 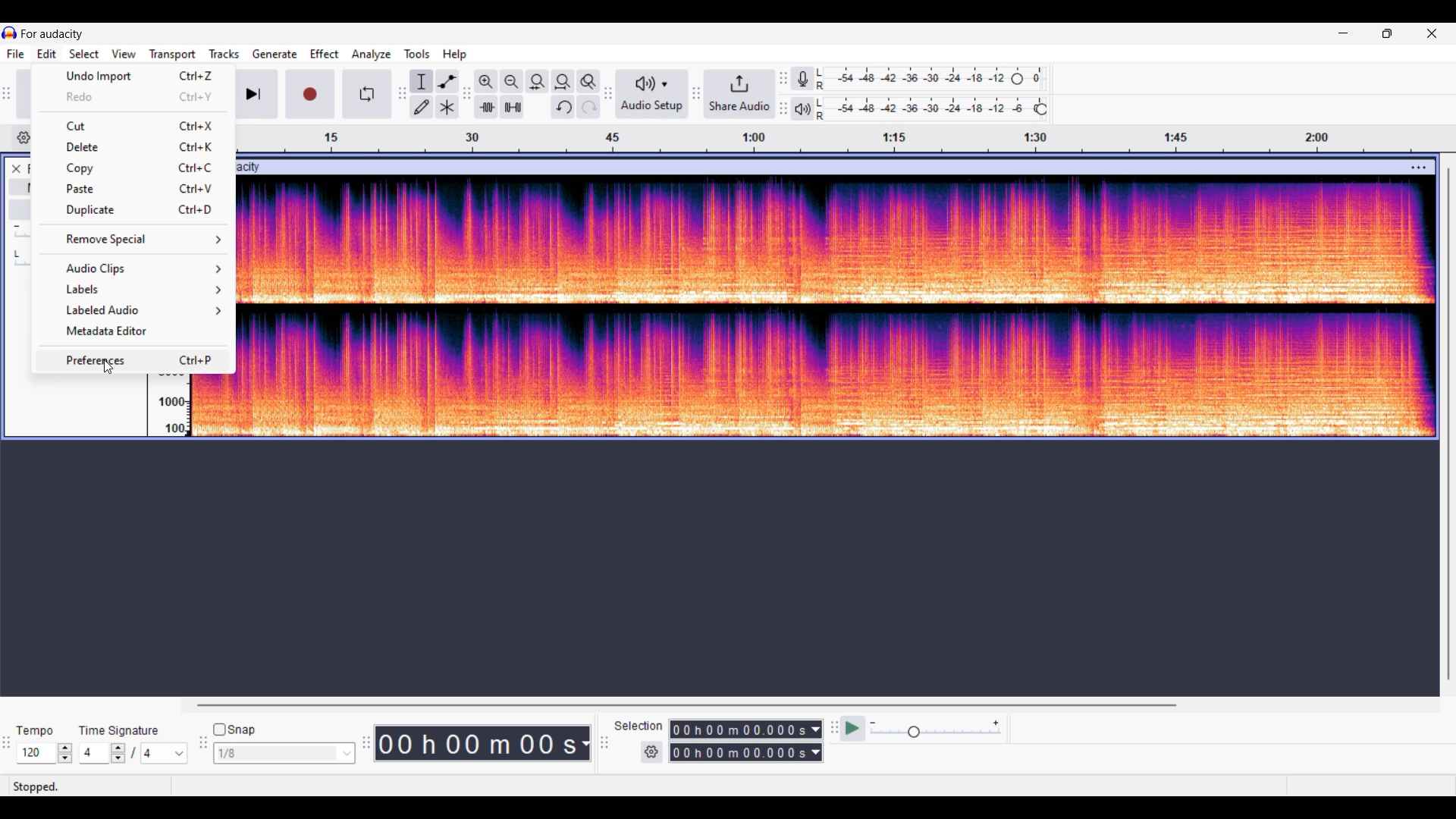 I want to click on Copy, so click(x=135, y=168).